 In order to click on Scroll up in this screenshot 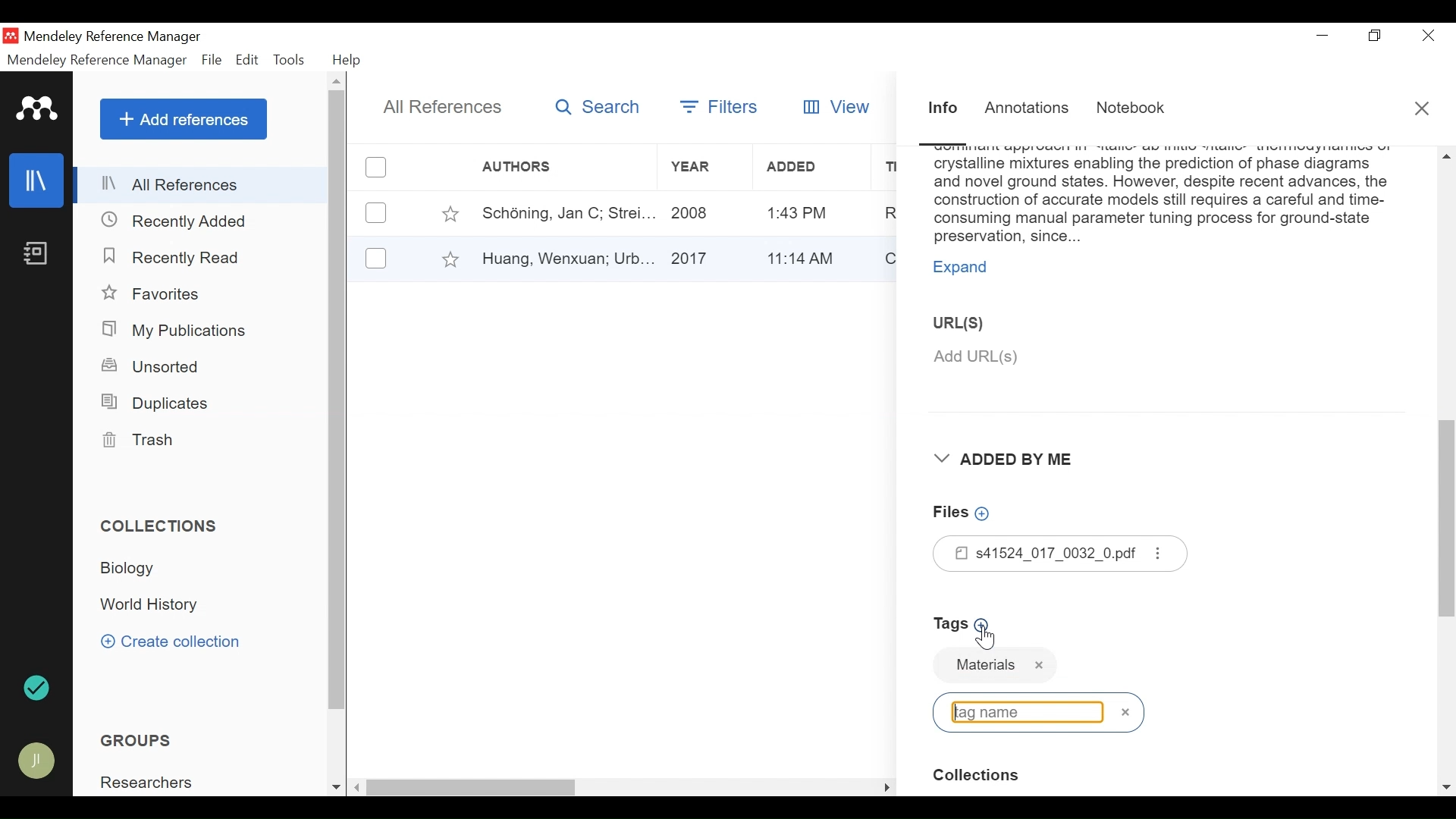, I will do `click(337, 80)`.